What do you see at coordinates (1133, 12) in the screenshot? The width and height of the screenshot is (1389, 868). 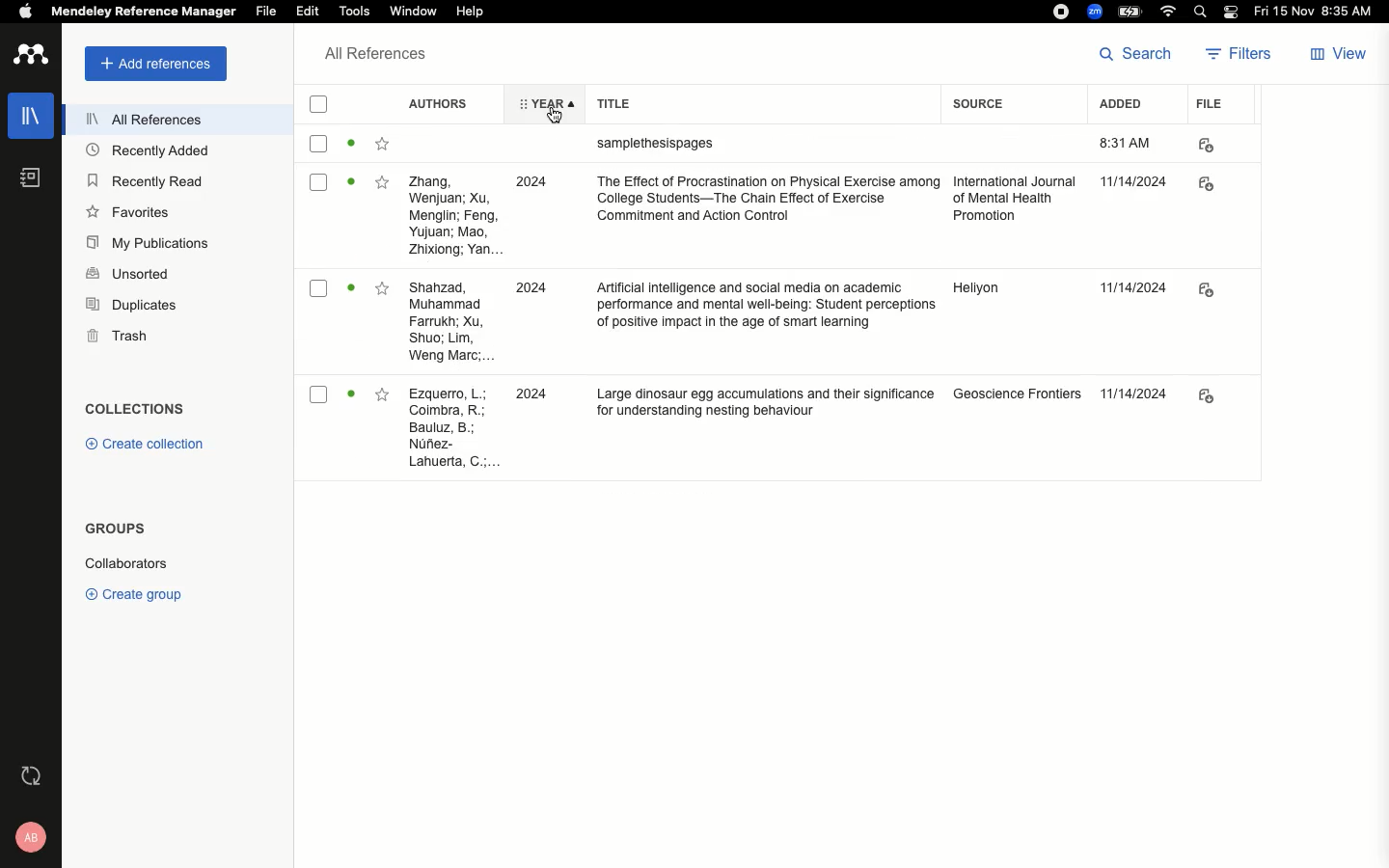 I see `Charge` at bounding box center [1133, 12].